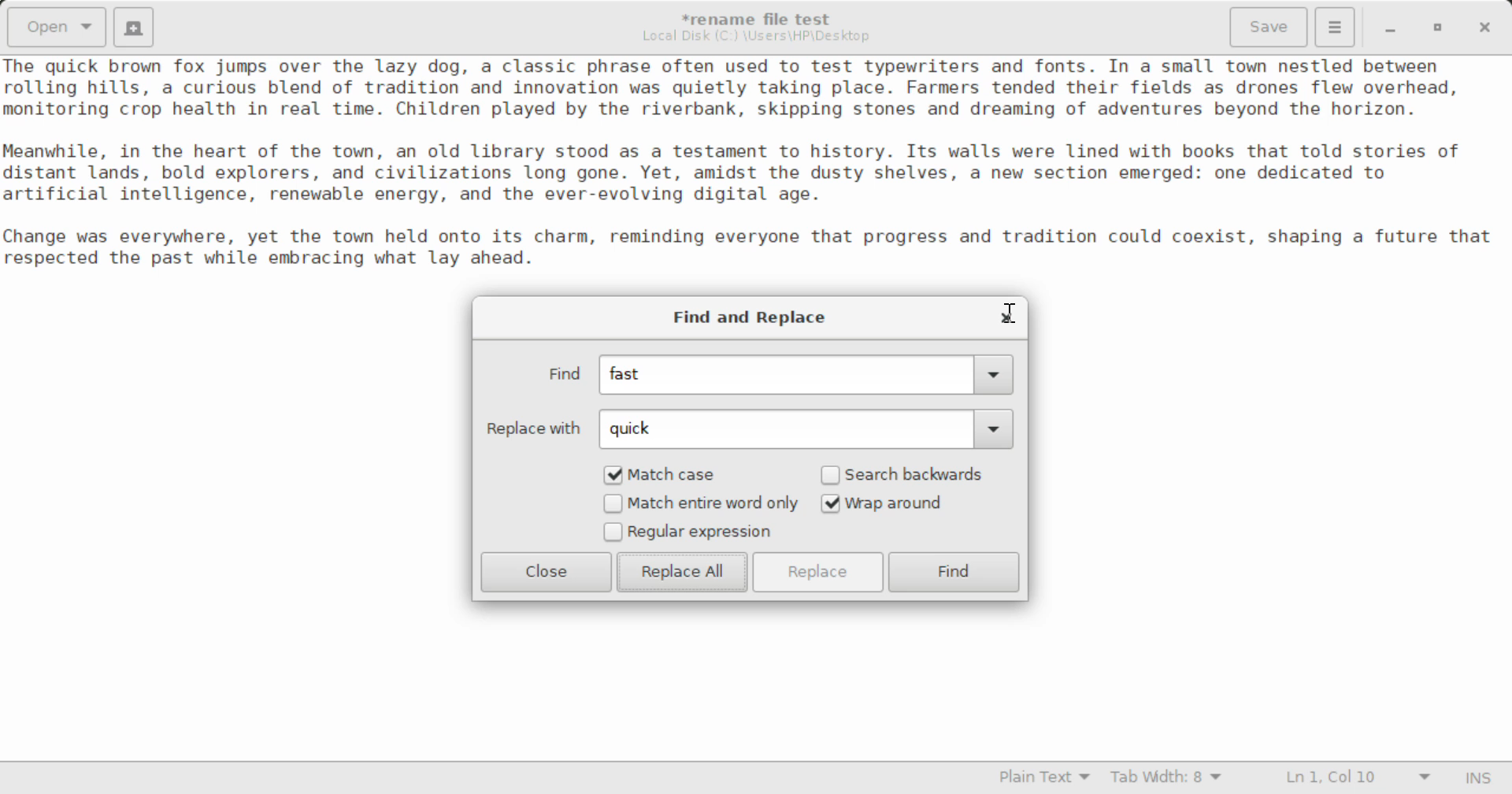 This screenshot has height=794, width=1512. I want to click on Replace with: quick, so click(747, 429).